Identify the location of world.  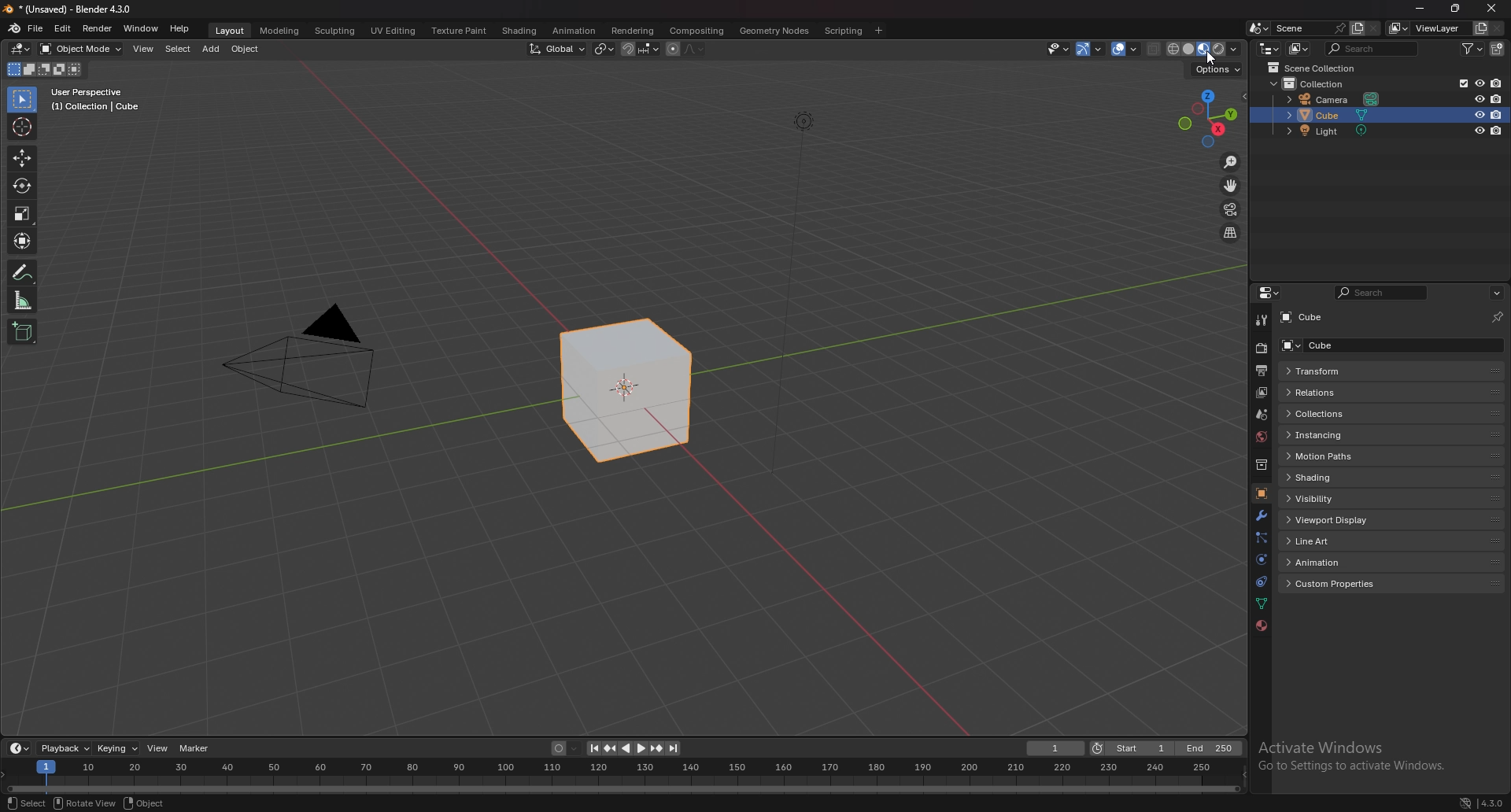
(1259, 437).